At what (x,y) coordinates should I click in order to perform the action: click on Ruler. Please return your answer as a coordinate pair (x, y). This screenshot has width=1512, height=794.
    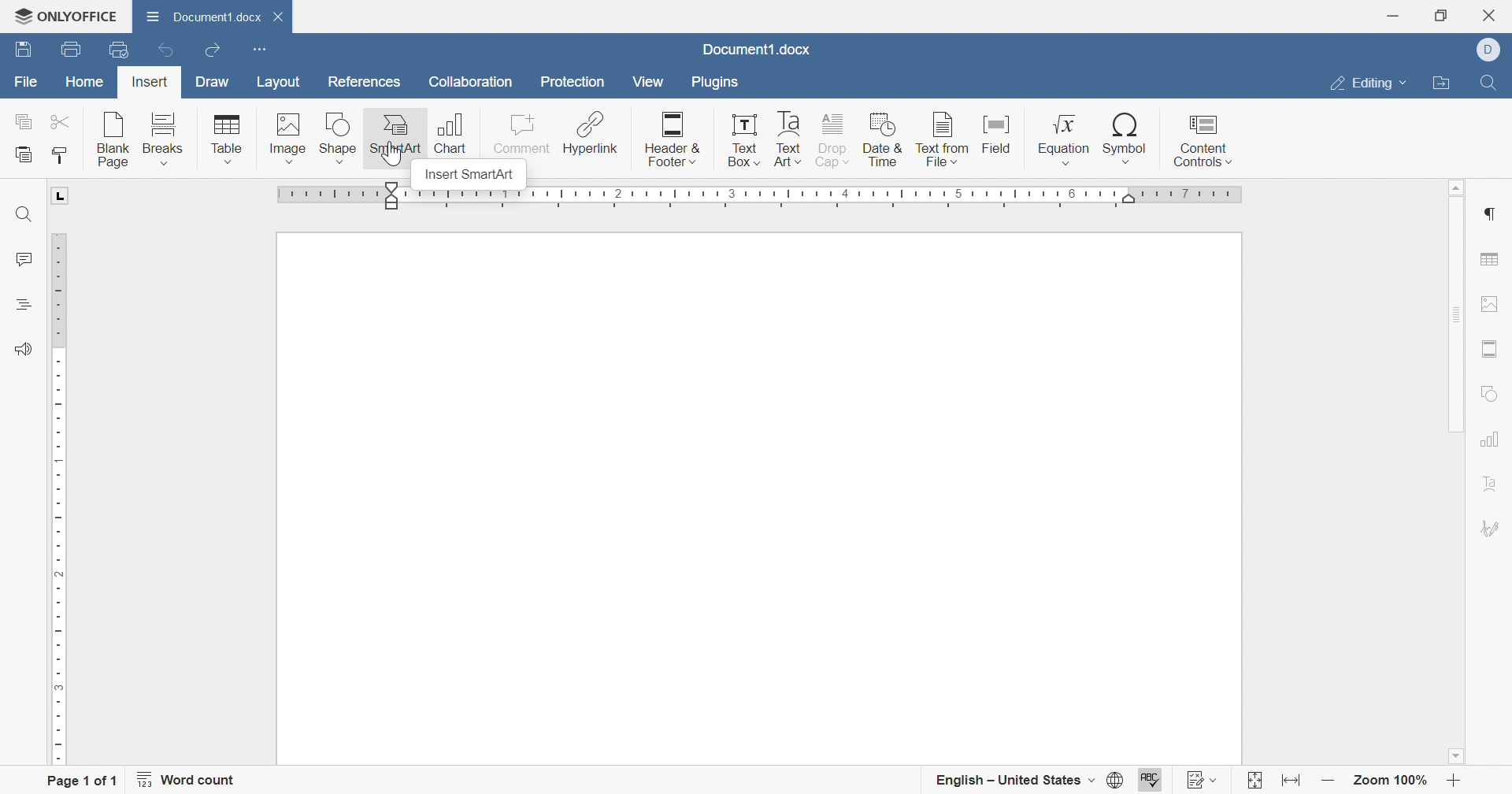
    Looking at the image, I should click on (57, 477).